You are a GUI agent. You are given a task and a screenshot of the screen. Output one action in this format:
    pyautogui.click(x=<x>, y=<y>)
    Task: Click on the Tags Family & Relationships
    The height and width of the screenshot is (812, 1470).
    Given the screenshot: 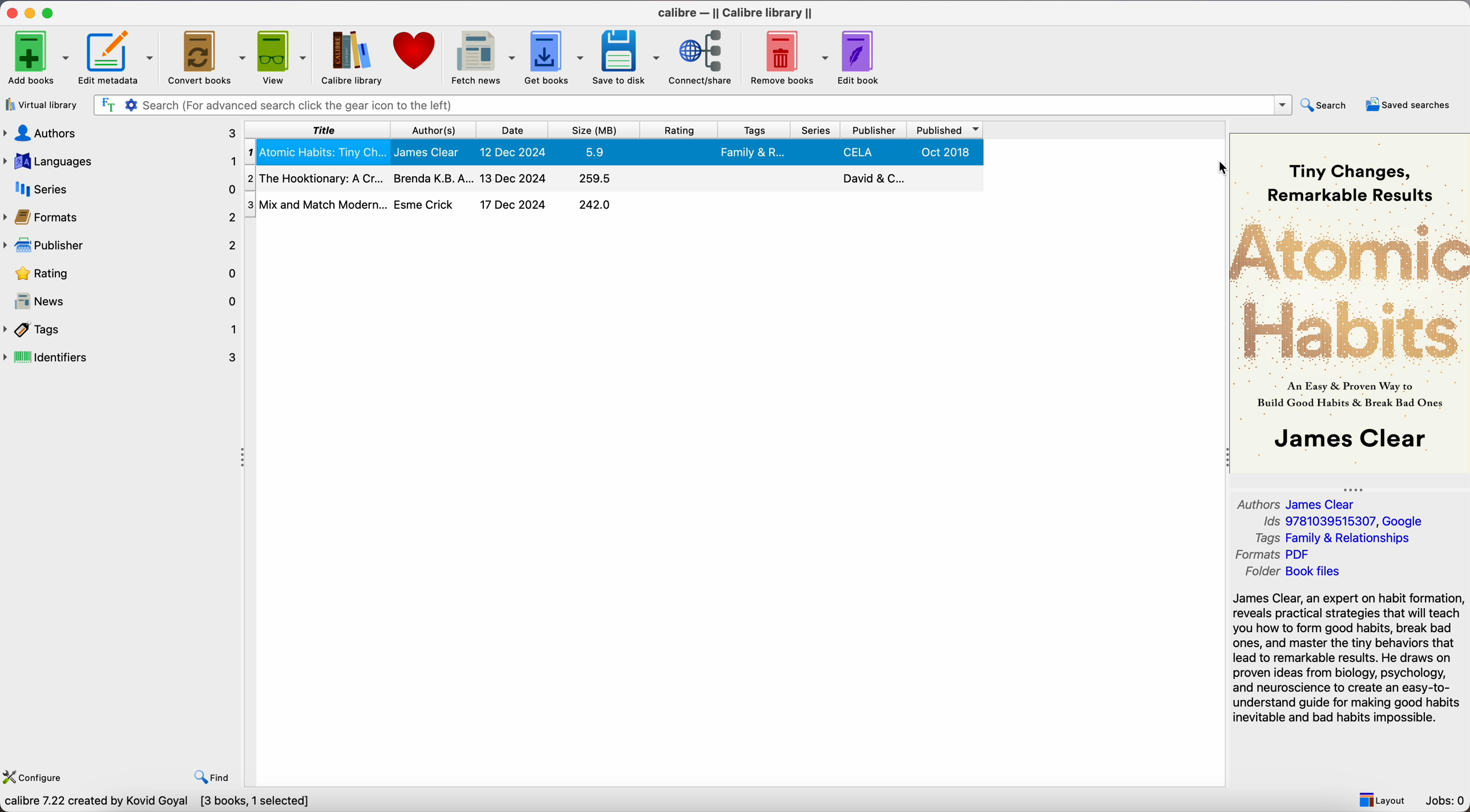 What is the action you would take?
    pyautogui.click(x=1334, y=538)
    